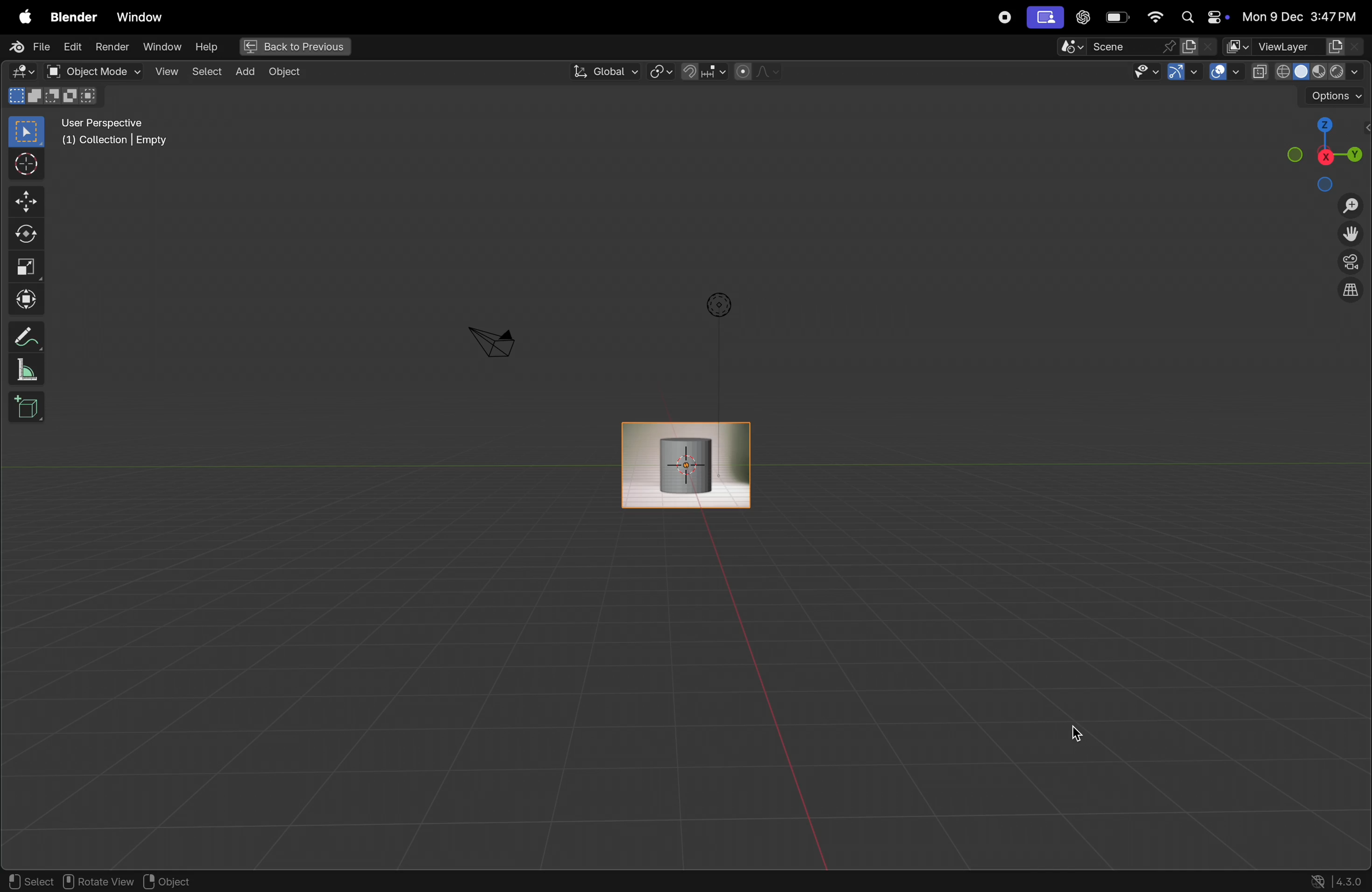 This screenshot has width=1372, height=892. I want to click on overlays, so click(1222, 72).